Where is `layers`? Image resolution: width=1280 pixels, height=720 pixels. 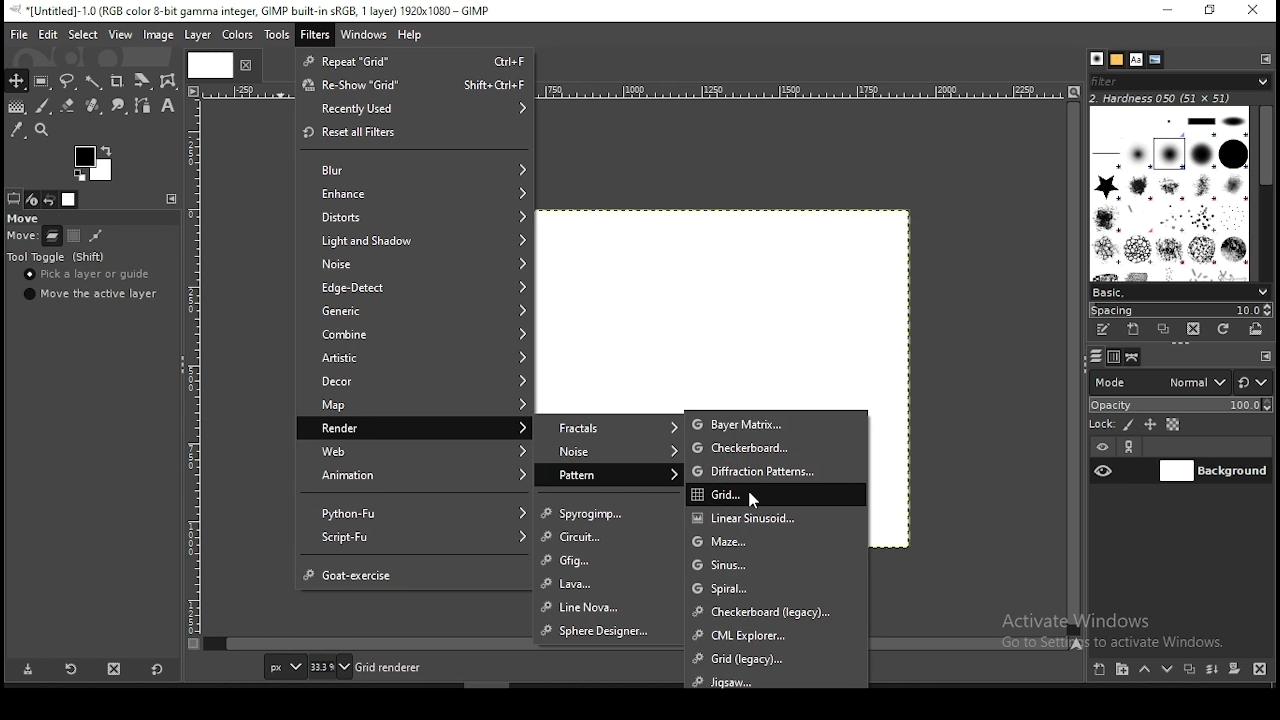
layers is located at coordinates (1097, 355).